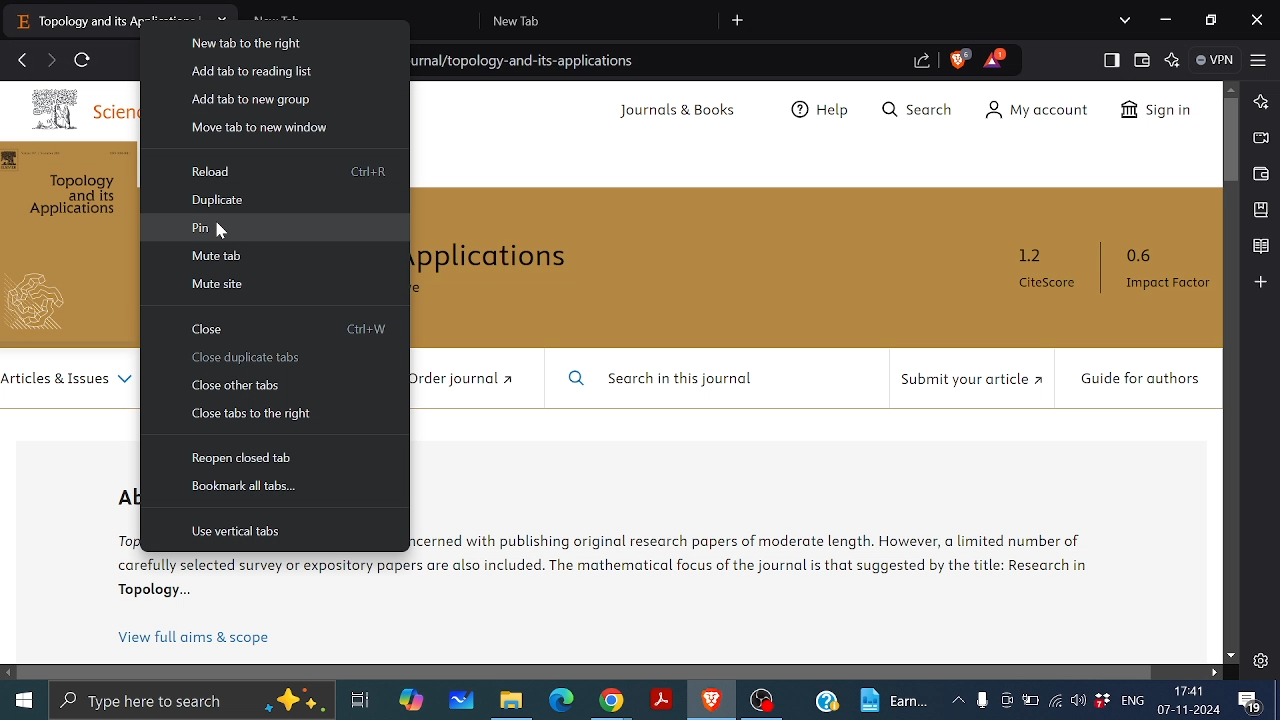  I want to click on Internet access, so click(1055, 701).